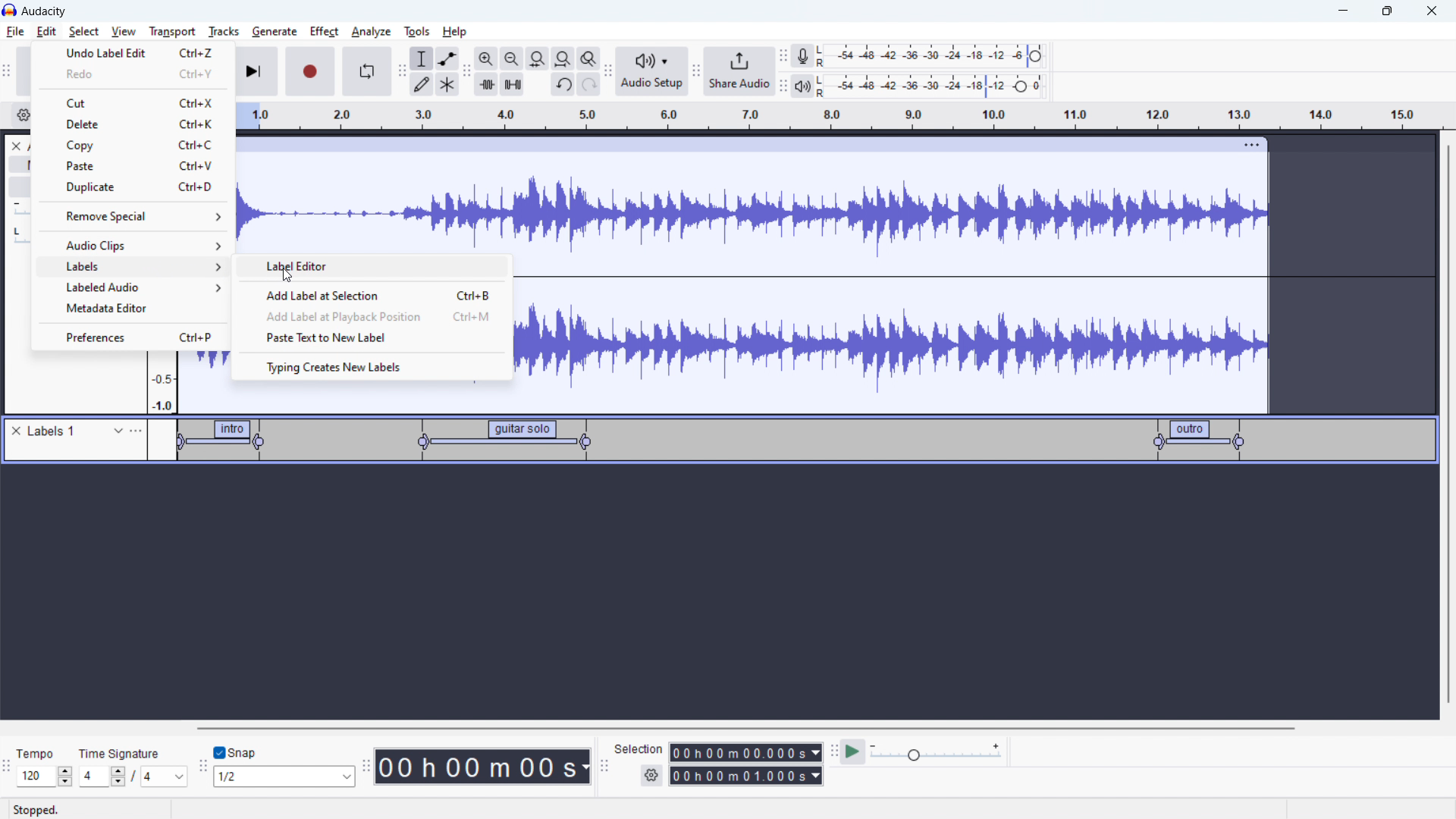 The image size is (1456, 819). Describe the element at coordinates (19, 431) in the screenshot. I see `remove` at that location.